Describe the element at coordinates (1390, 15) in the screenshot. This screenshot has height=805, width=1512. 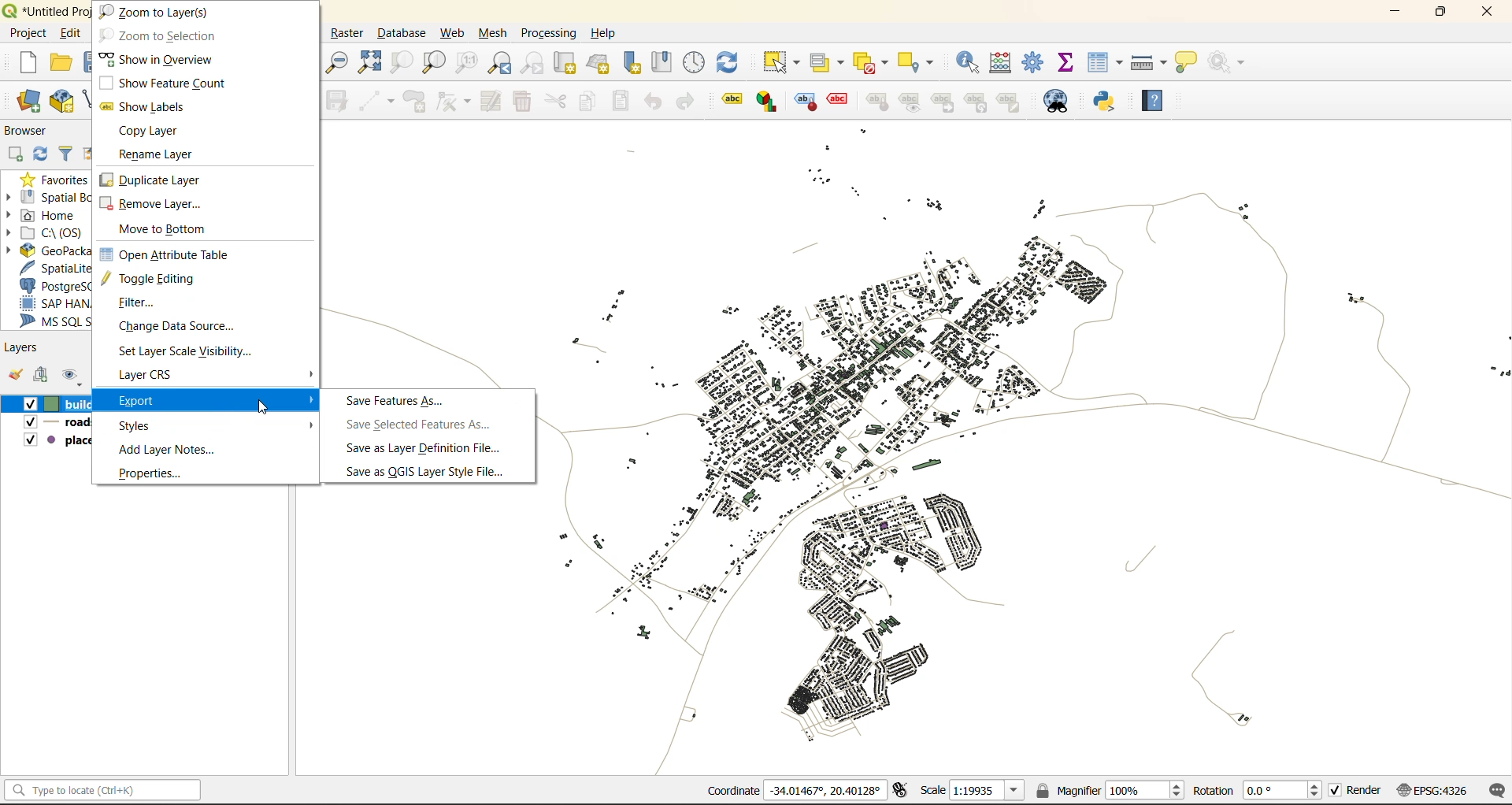
I see `minimize` at that location.